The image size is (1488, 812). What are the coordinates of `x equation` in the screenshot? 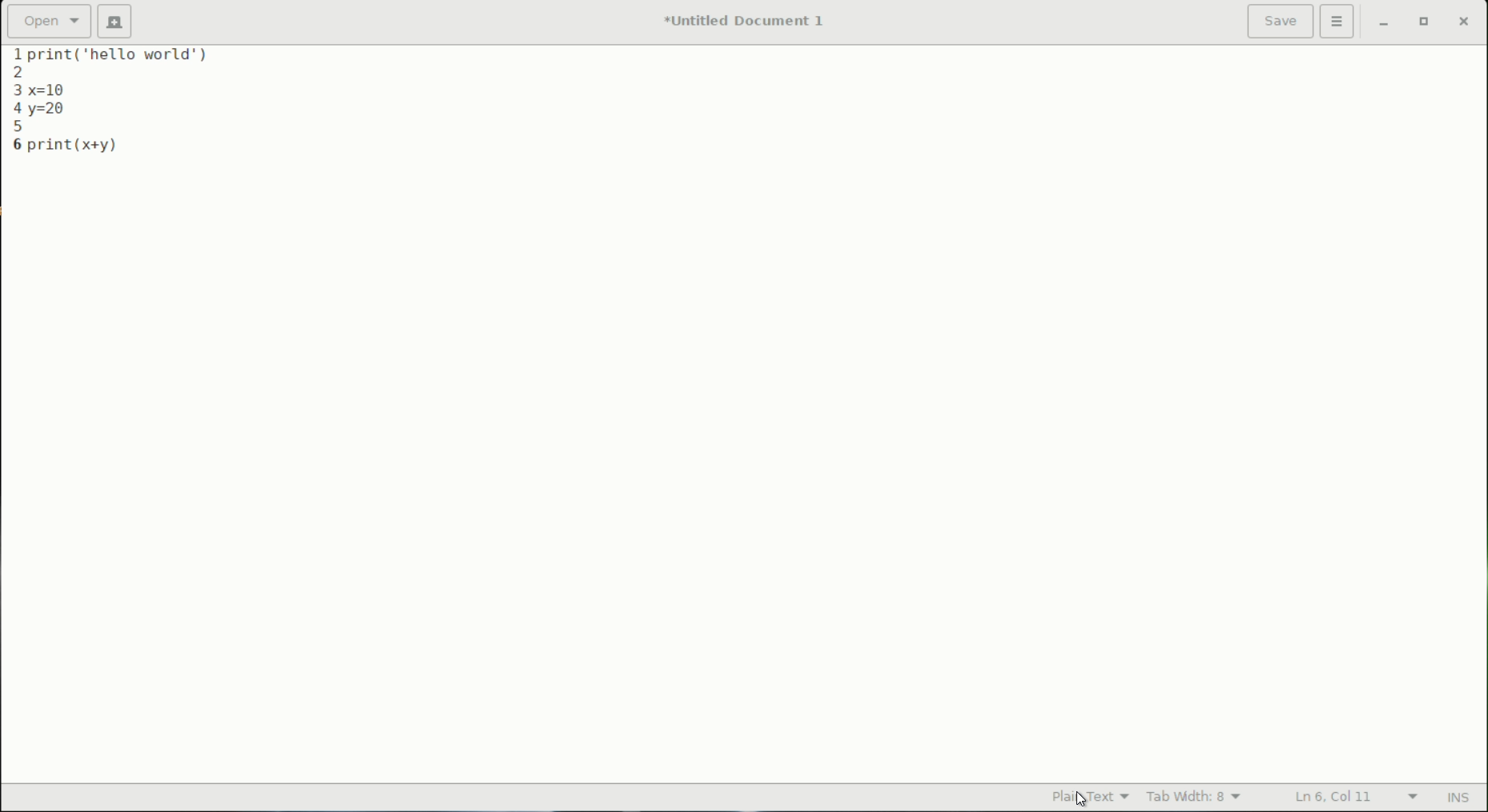 It's located at (58, 88).